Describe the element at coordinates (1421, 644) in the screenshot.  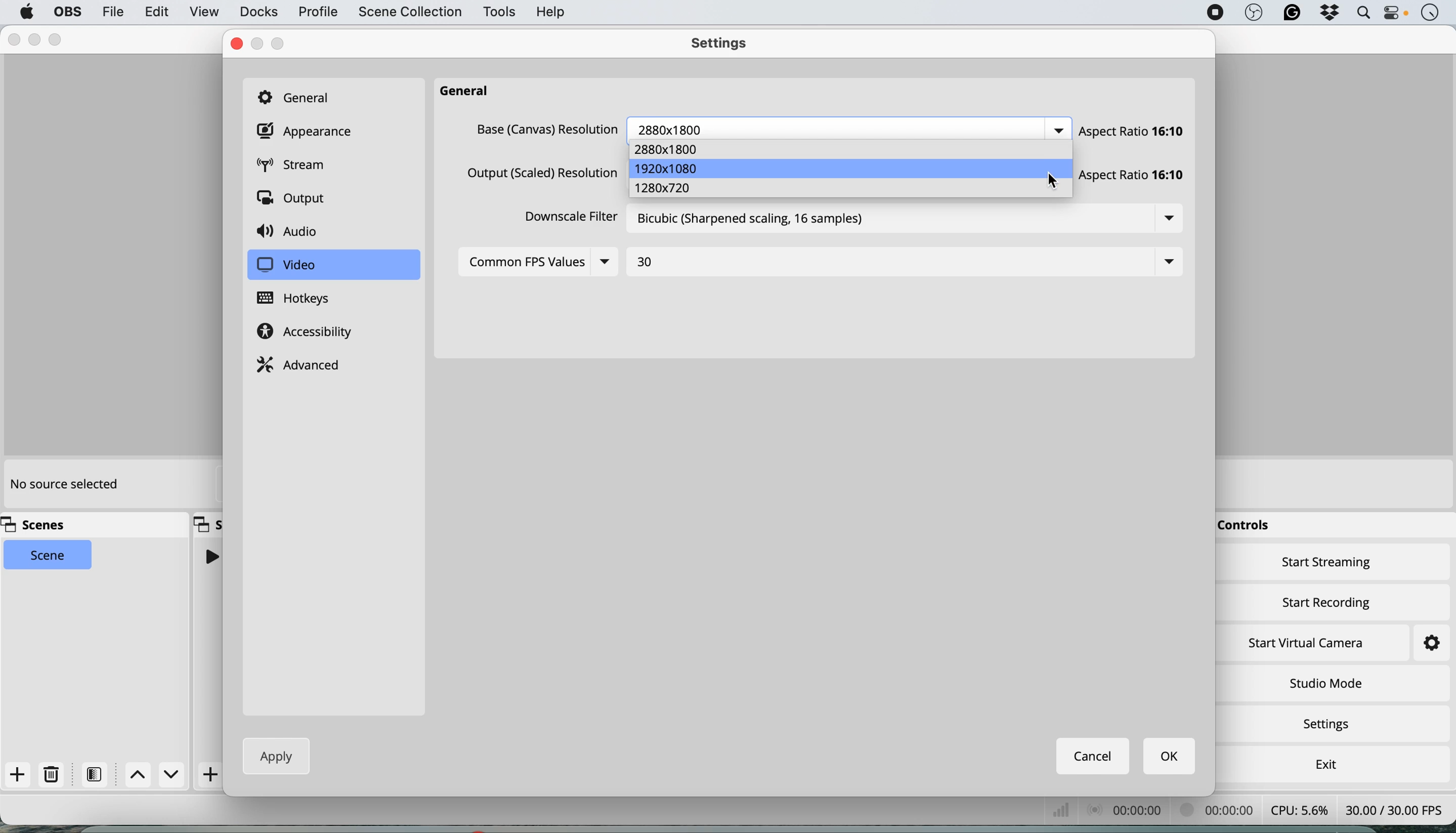
I see `settings` at that location.